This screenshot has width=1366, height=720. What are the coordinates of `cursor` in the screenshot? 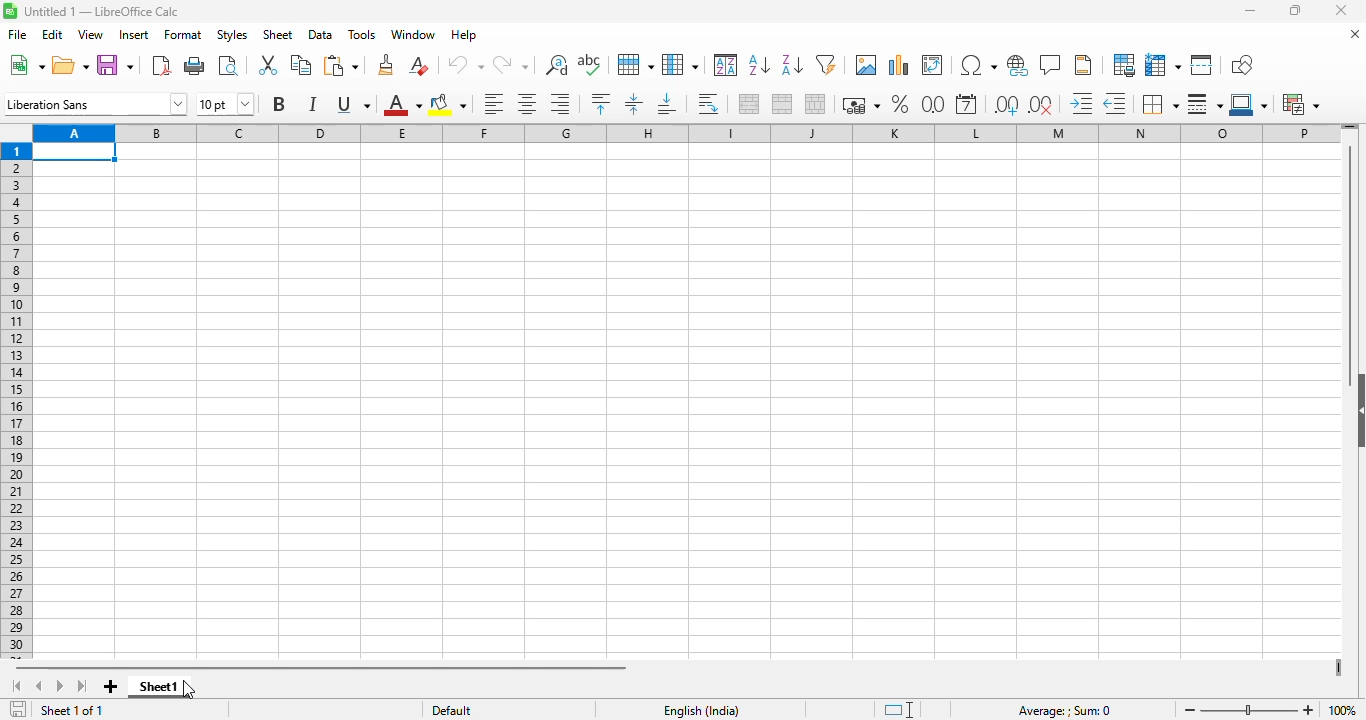 It's located at (190, 689).